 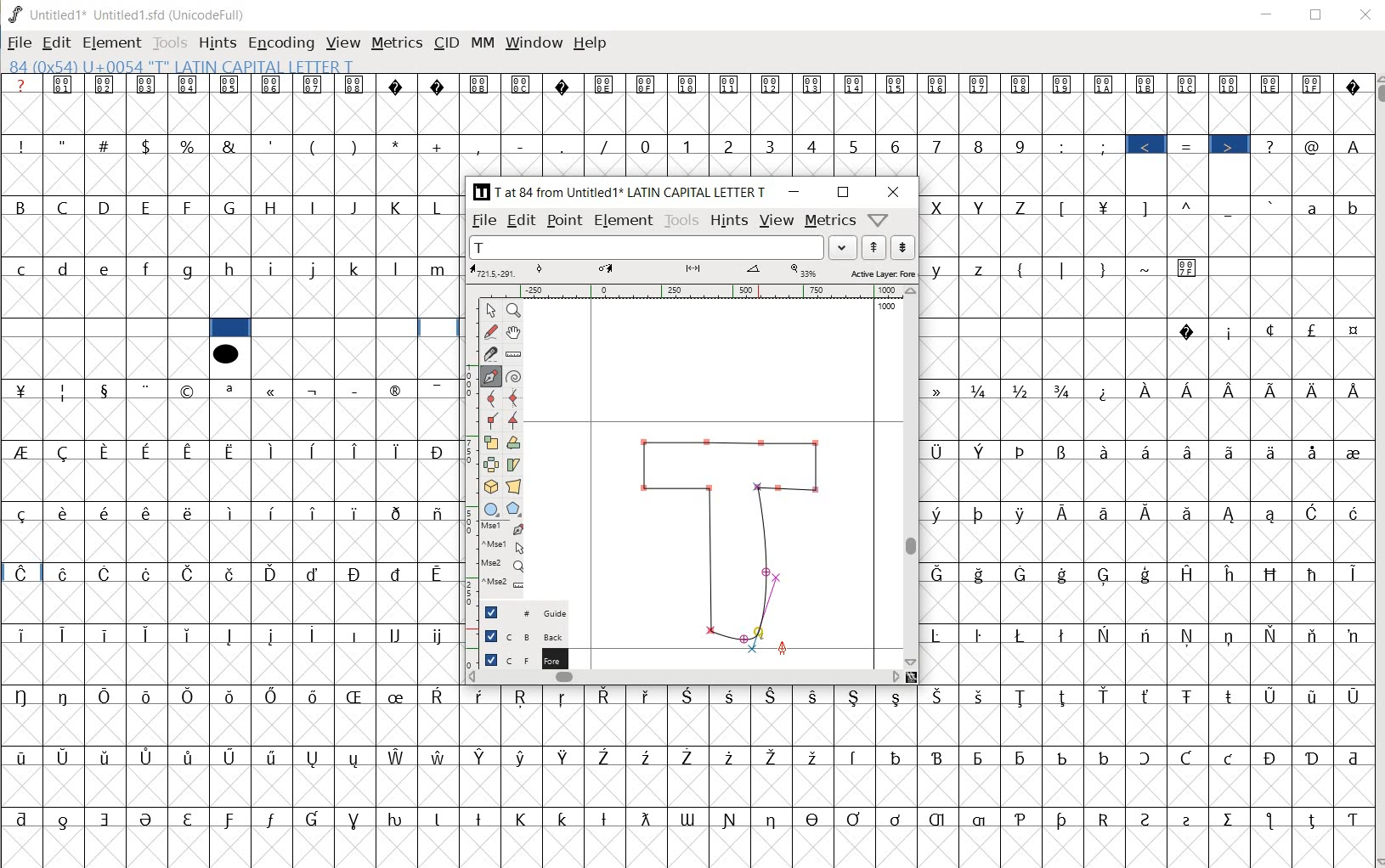 I want to click on maximize, so click(x=1317, y=14).